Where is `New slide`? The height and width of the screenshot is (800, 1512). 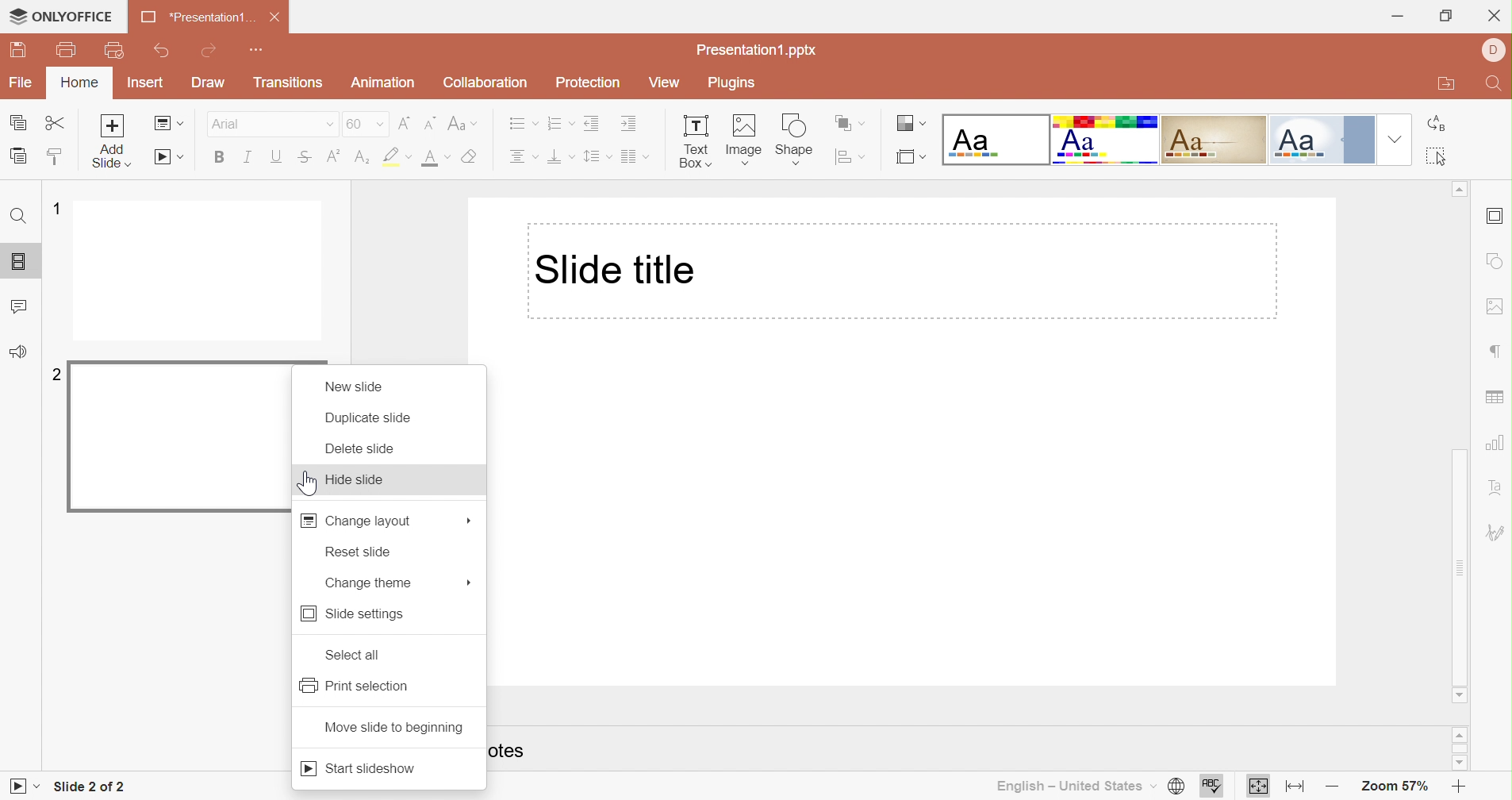 New slide is located at coordinates (358, 389).